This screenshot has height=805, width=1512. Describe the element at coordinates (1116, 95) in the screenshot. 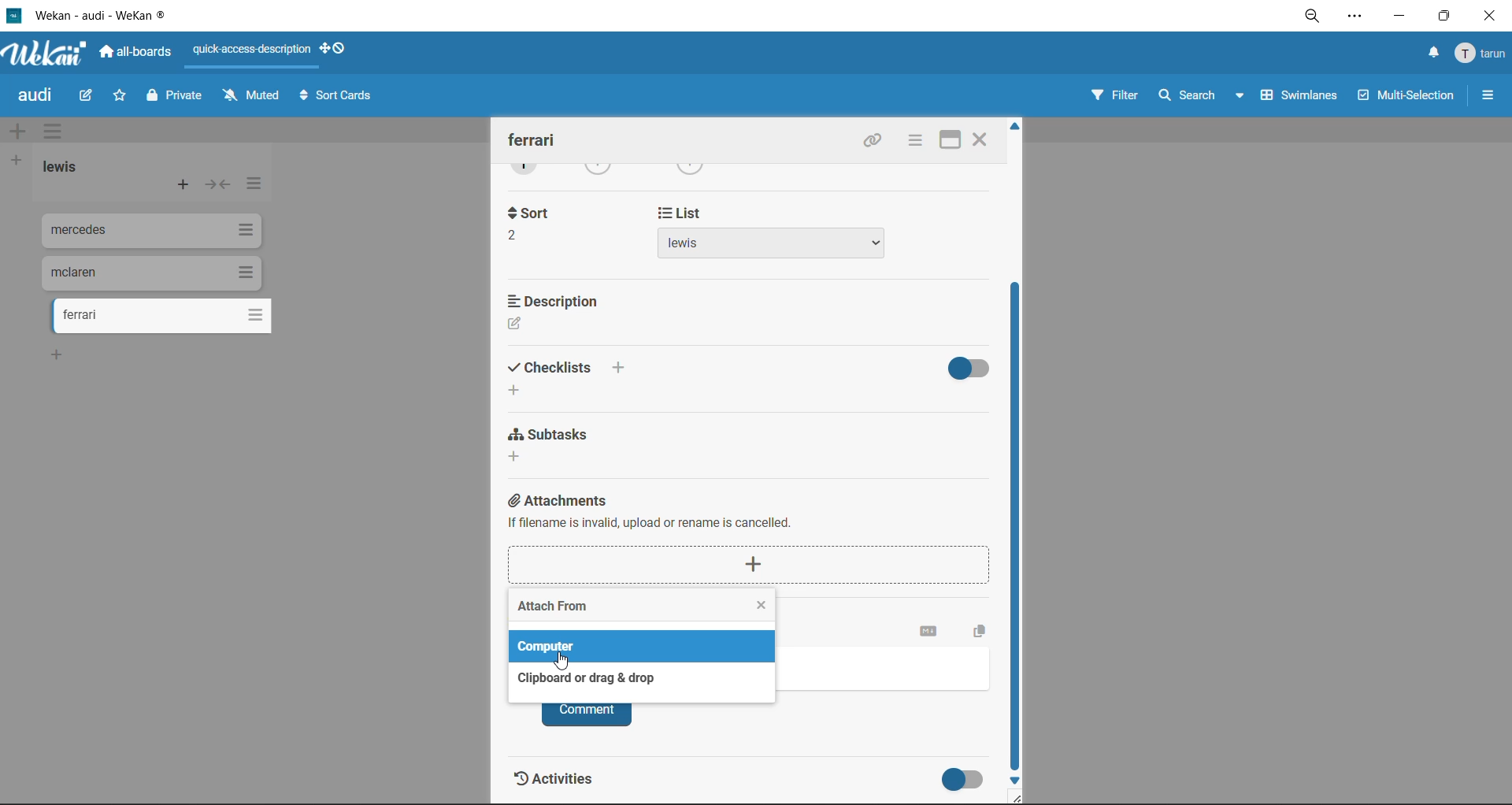

I see `filter` at that location.